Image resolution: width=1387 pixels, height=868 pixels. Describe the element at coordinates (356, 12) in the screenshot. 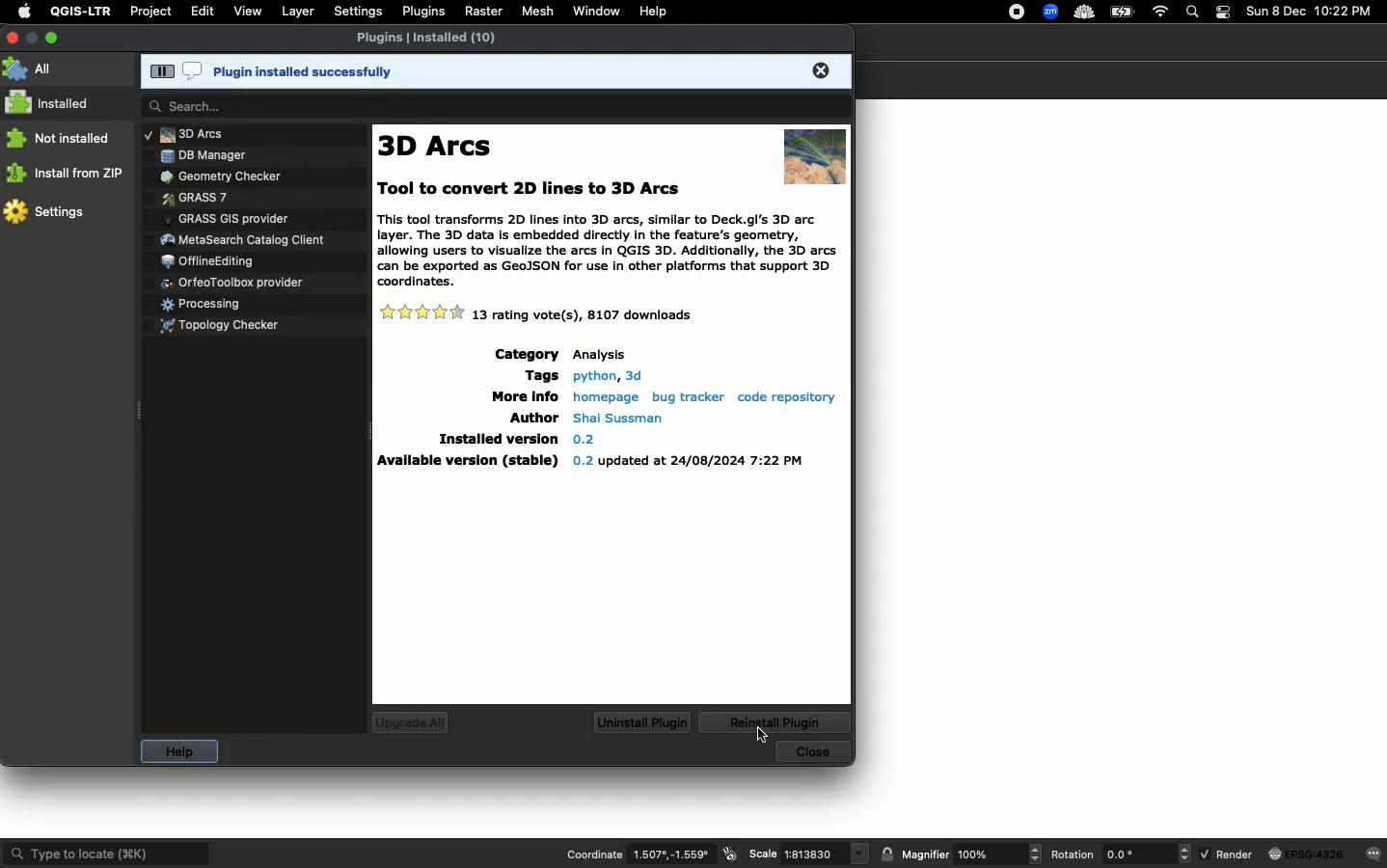

I see `Settings` at that location.